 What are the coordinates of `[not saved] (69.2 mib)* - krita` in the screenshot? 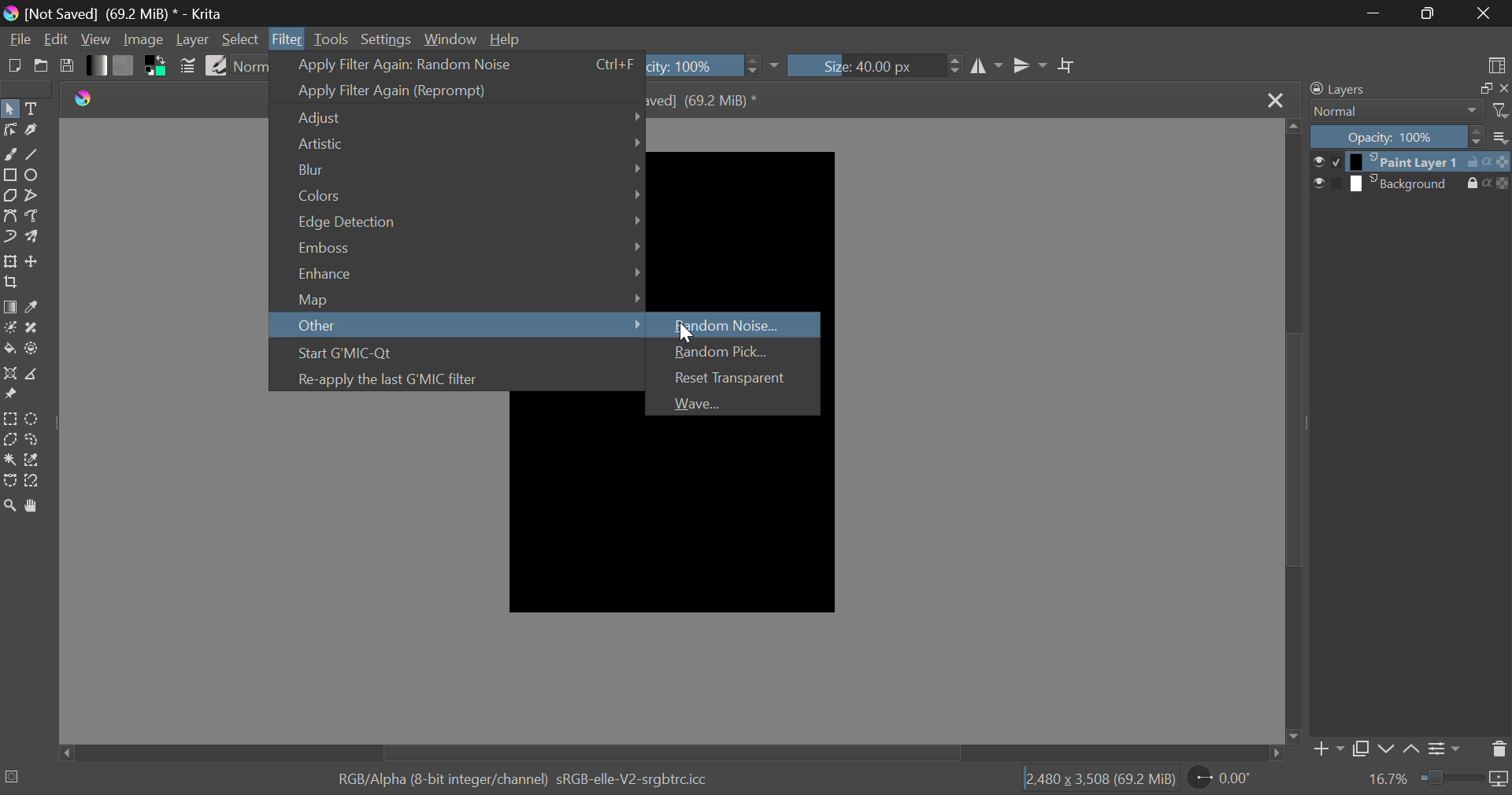 It's located at (119, 13).